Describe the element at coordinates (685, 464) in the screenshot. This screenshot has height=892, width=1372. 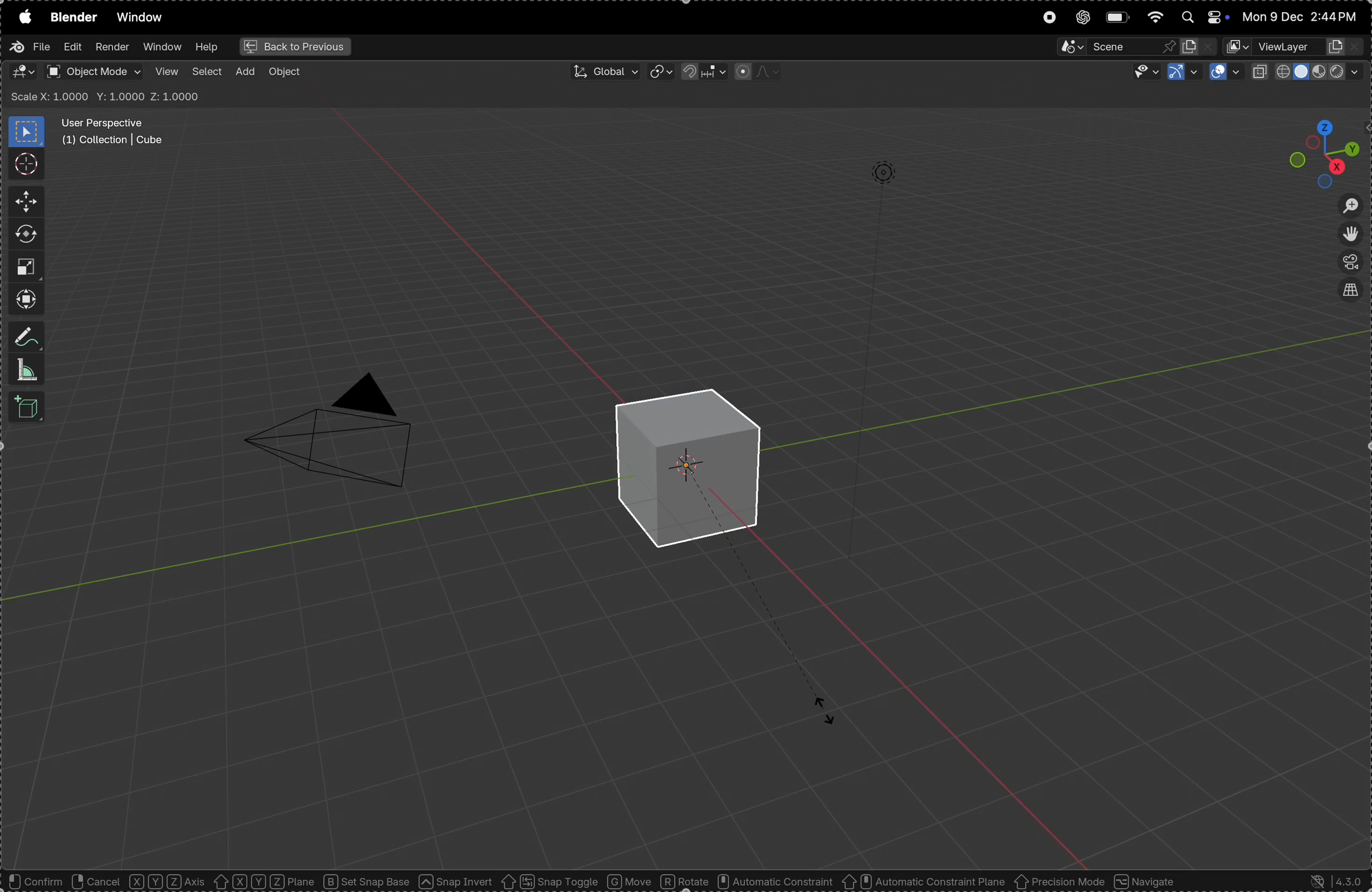
I see `#d cube` at that location.